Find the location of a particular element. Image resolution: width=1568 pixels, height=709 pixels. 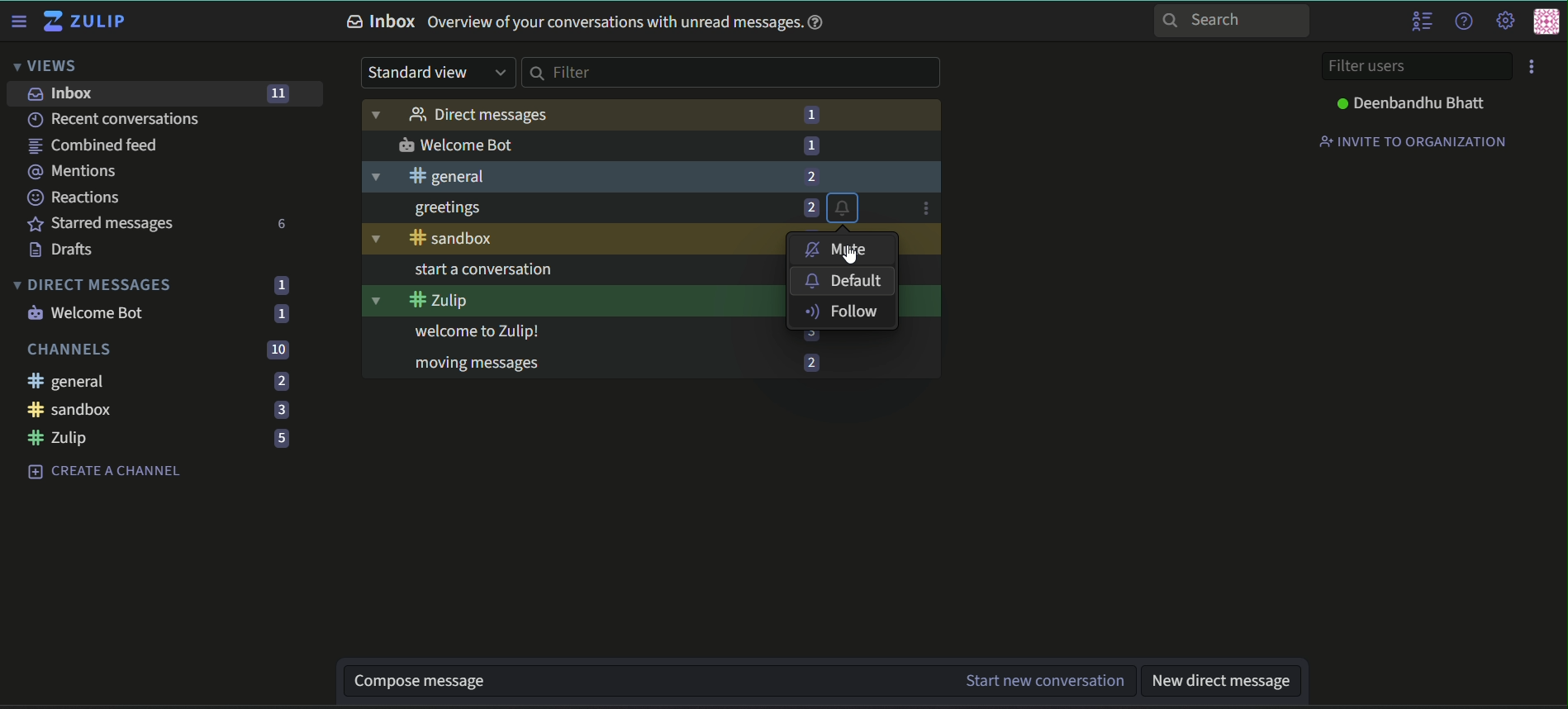

help menu is located at coordinates (1463, 20).